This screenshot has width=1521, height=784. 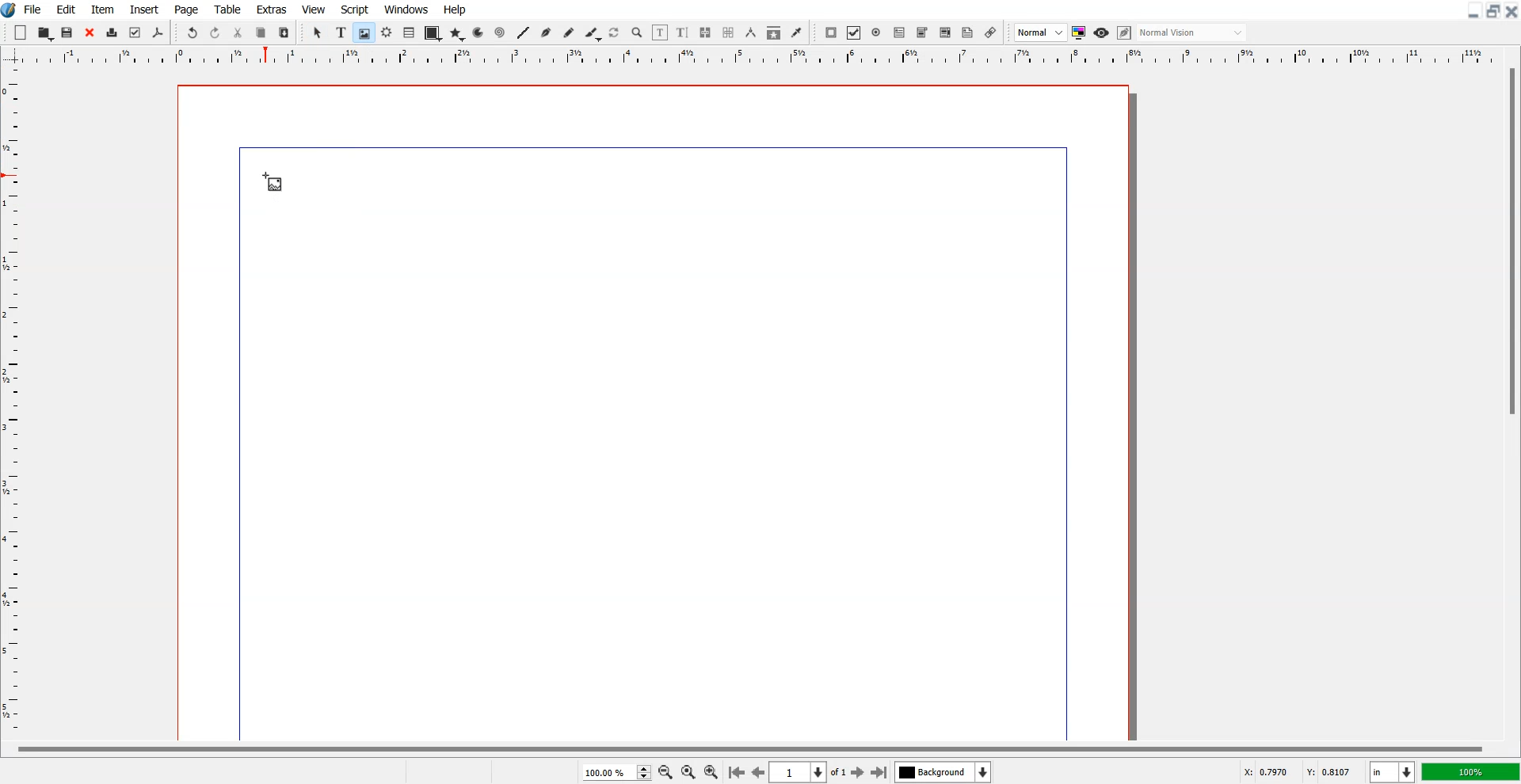 What do you see at coordinates (69, 32) in the screenshot?
I see `Open` at bounding box center [69, 32].